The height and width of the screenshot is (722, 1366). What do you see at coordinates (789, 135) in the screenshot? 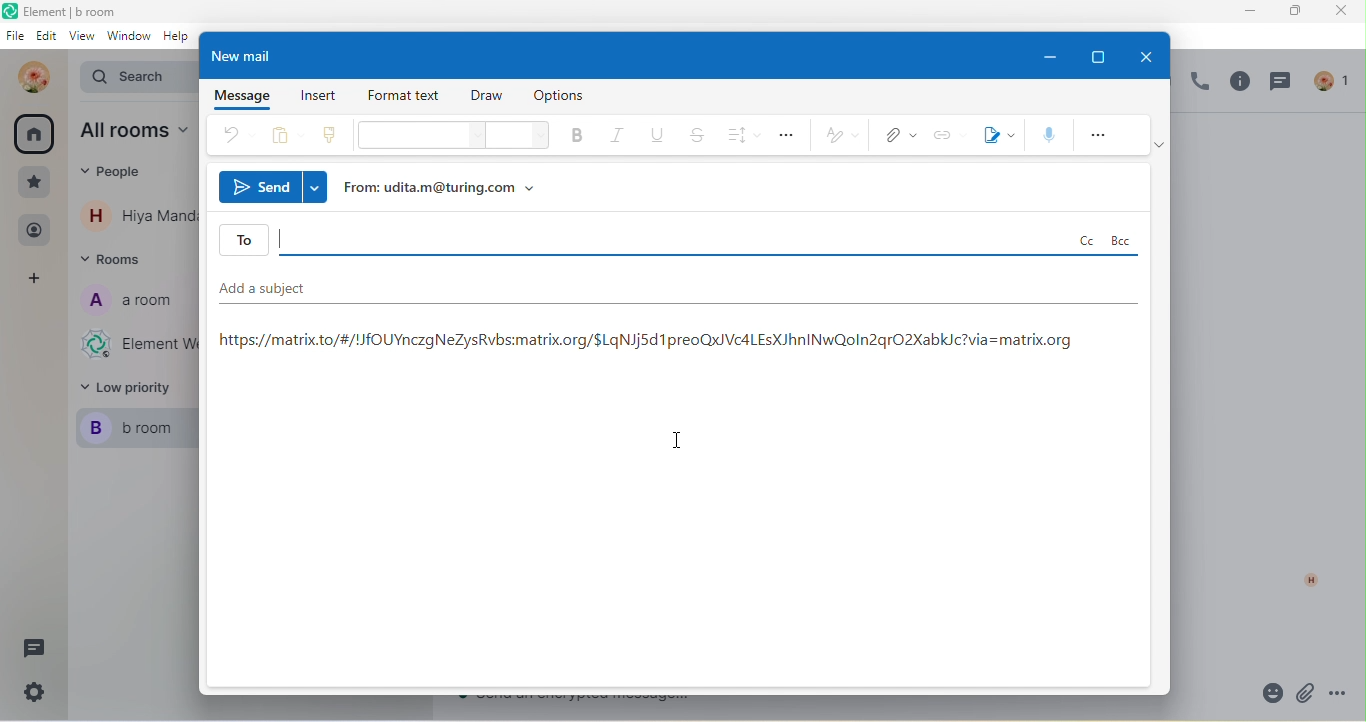
I see `option` at bounding box center [789, 135].